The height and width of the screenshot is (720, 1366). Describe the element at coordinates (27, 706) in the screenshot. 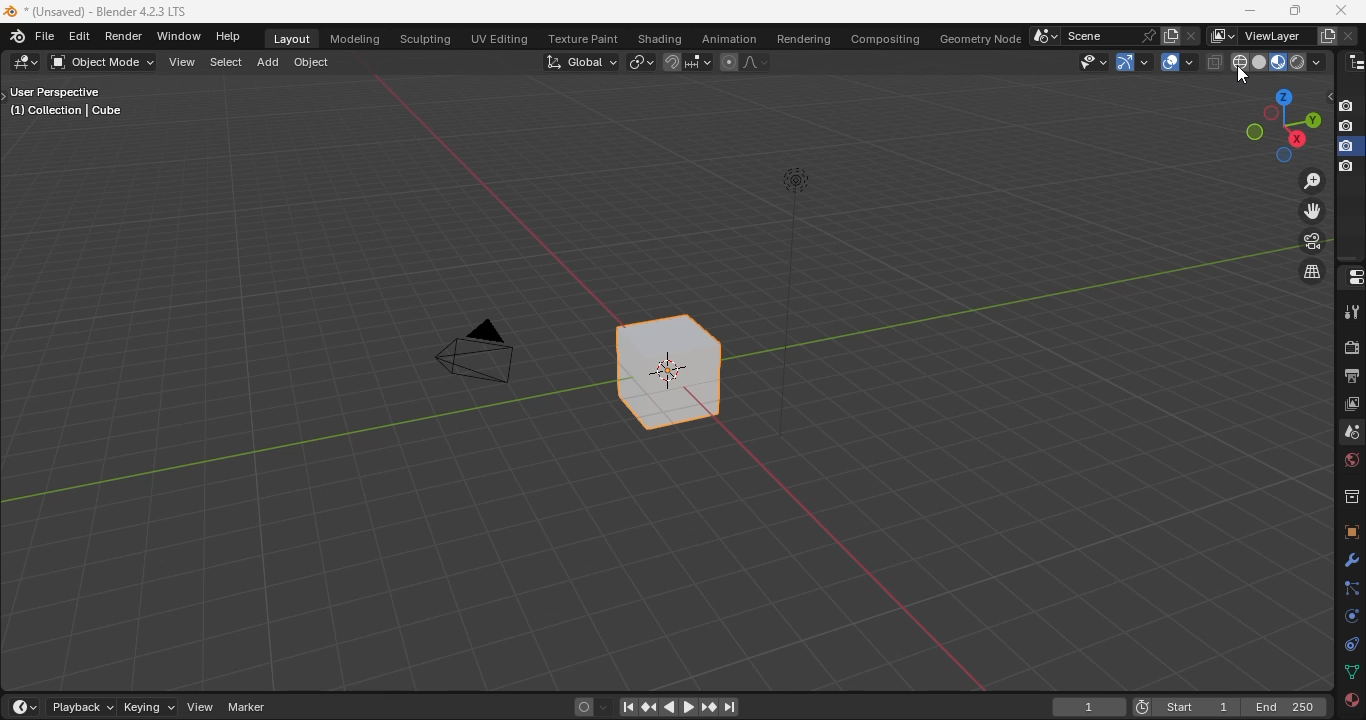

I see `editor type: timeline` at that location.